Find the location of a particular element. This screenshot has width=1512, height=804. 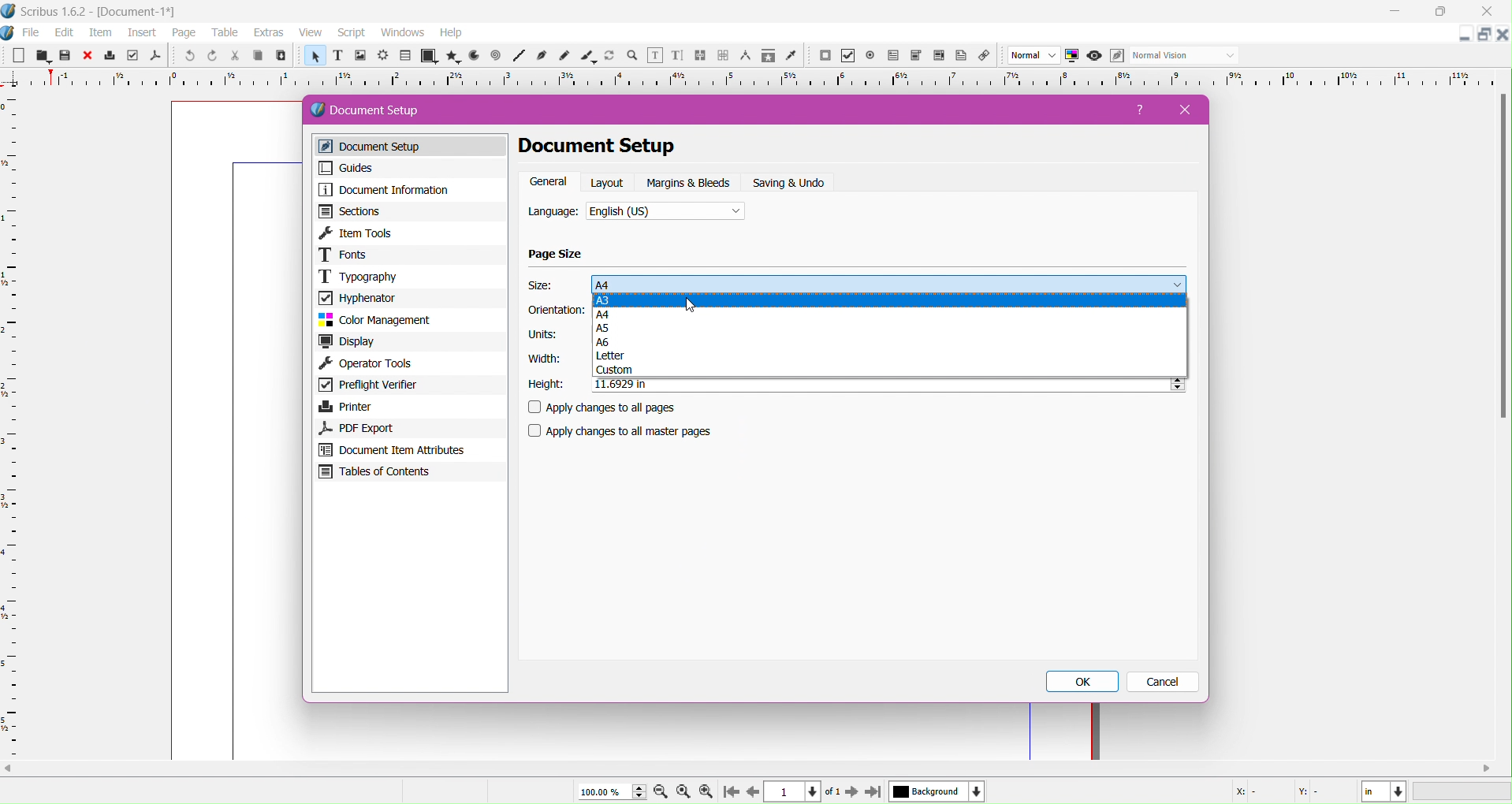

Display is located at coordinates (411, 342).